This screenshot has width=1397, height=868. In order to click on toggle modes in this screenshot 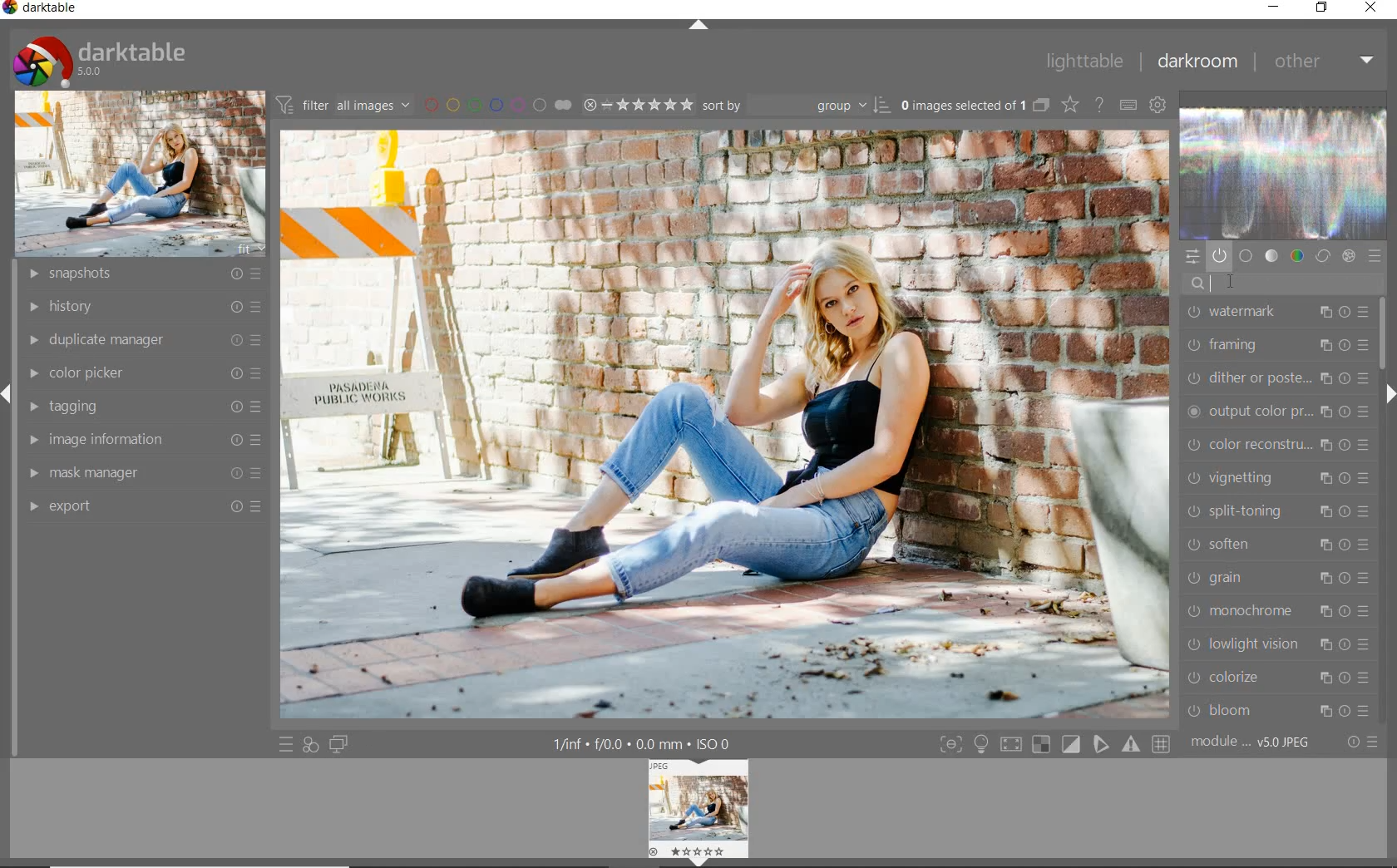, I will do `click(1051, 745)`.